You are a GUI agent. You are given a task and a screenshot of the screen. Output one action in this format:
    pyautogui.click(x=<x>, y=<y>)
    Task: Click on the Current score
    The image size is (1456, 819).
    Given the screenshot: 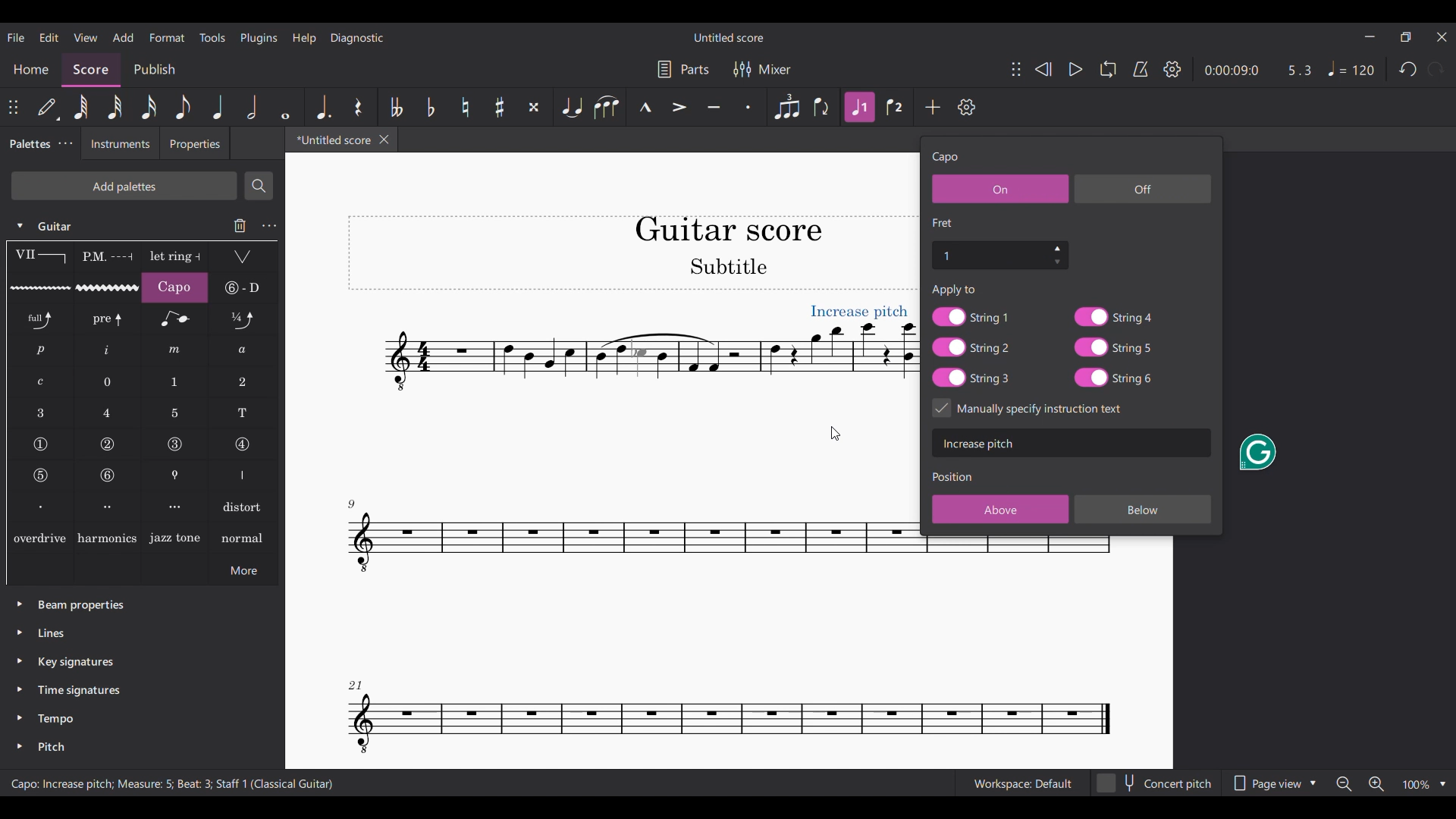 What is the action you would take?
    pyautogui.click(x=544, y=461)
    